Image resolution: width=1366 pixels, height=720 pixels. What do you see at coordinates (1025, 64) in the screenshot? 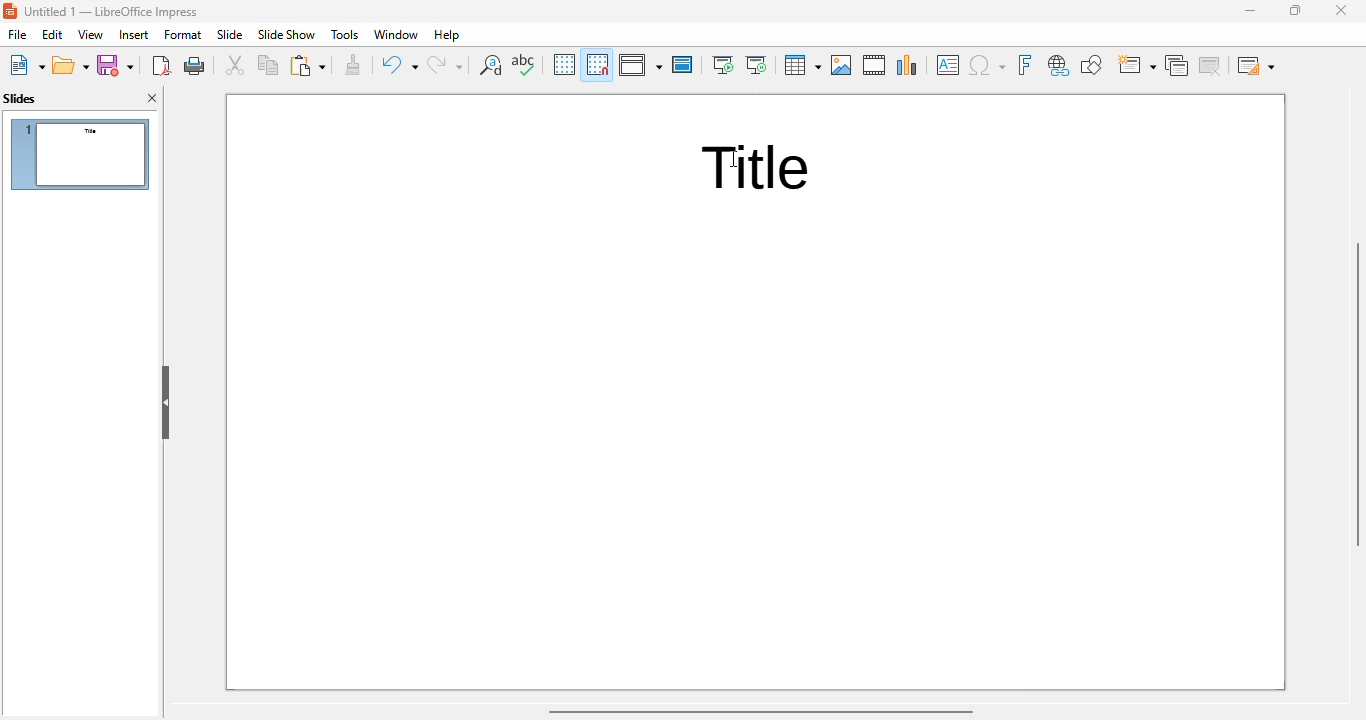
I see `insert fontwork text` at bounding box center [1025, 64].